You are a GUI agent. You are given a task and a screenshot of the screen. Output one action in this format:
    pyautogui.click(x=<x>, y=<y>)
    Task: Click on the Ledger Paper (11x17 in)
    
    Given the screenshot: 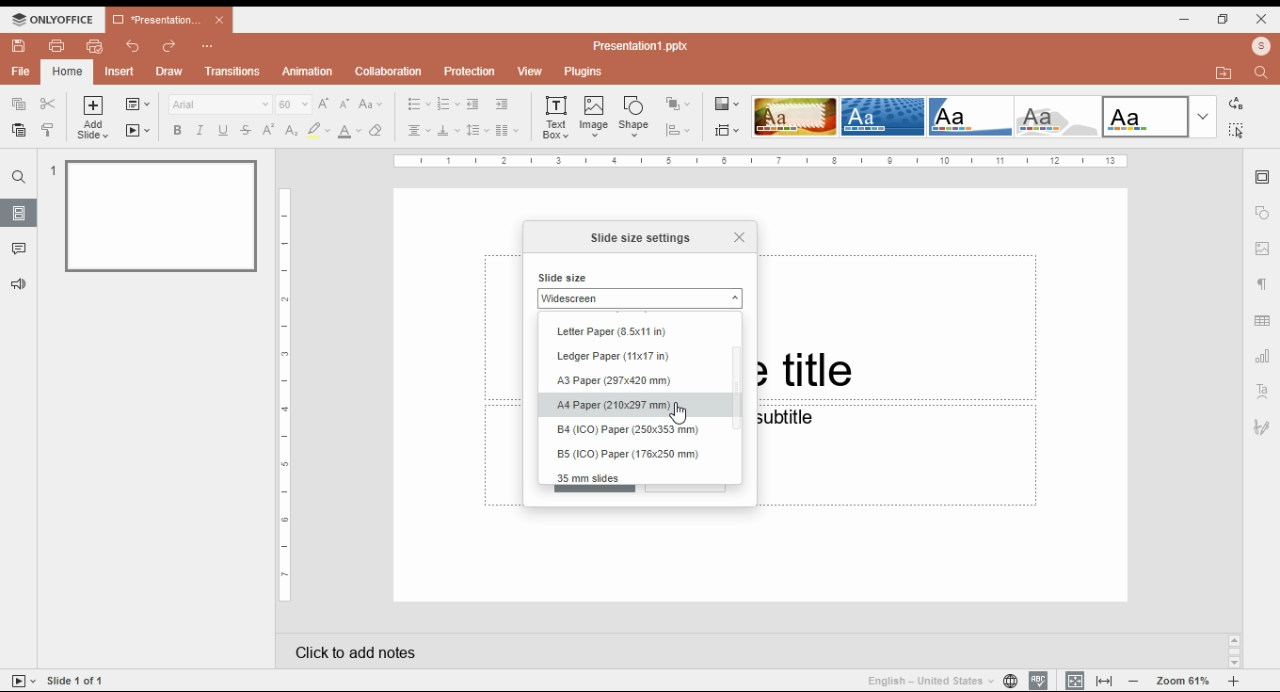 What is the action you would take?
    pyautogui.click(x=616, y=357)
    